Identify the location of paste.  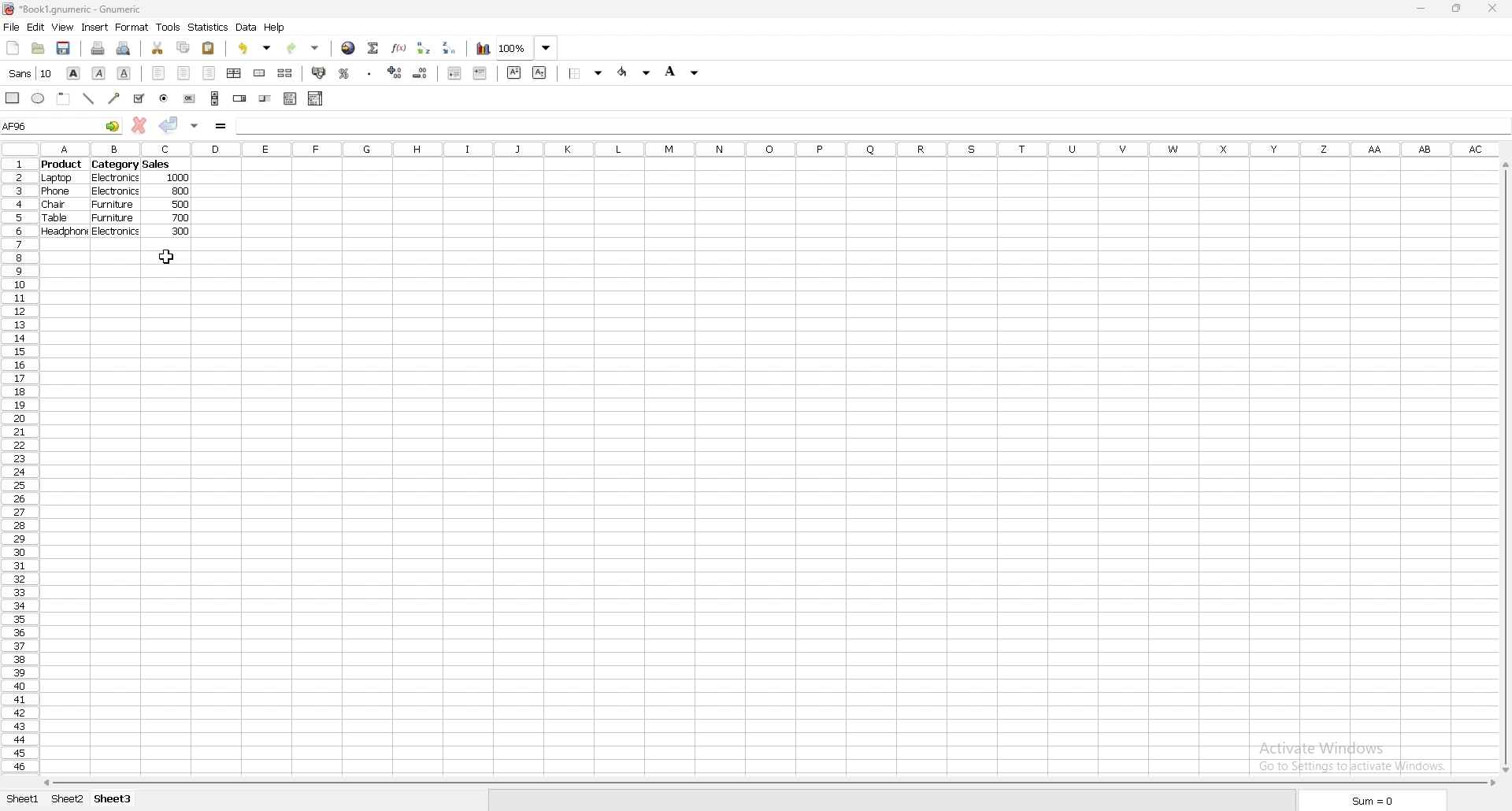
(209, 48).